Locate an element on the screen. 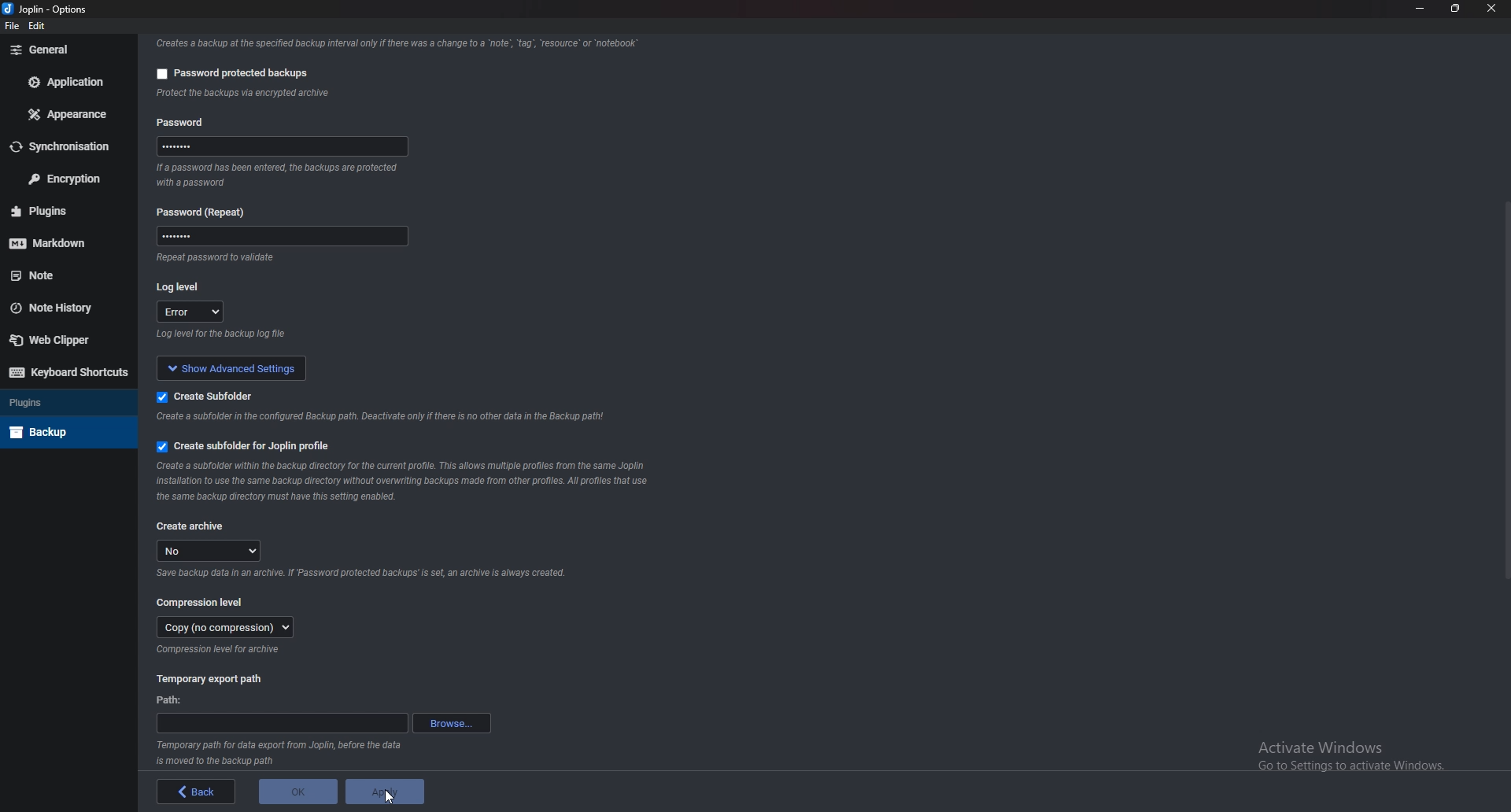  Info is located at coordinates (360, 576).